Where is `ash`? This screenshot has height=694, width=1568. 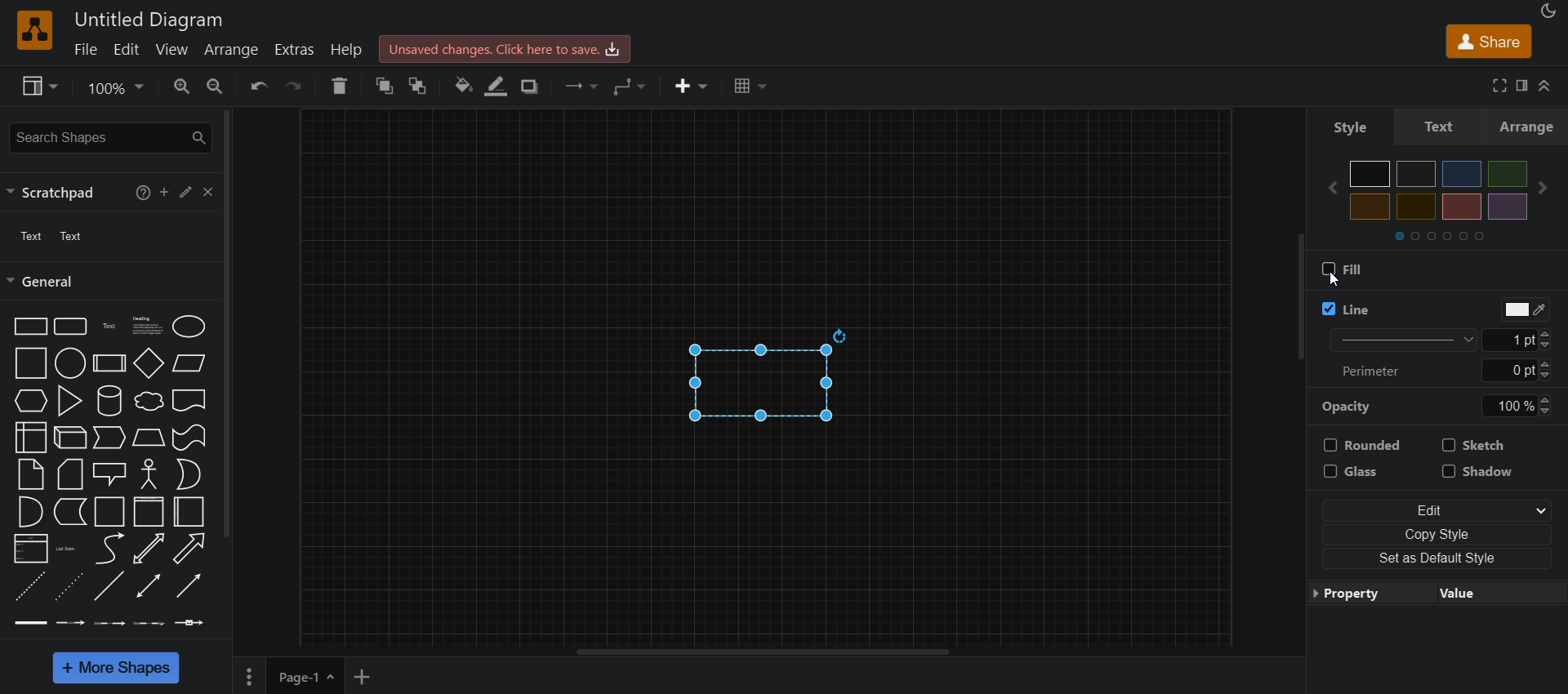
ash is located at coordinates (1415, 174).